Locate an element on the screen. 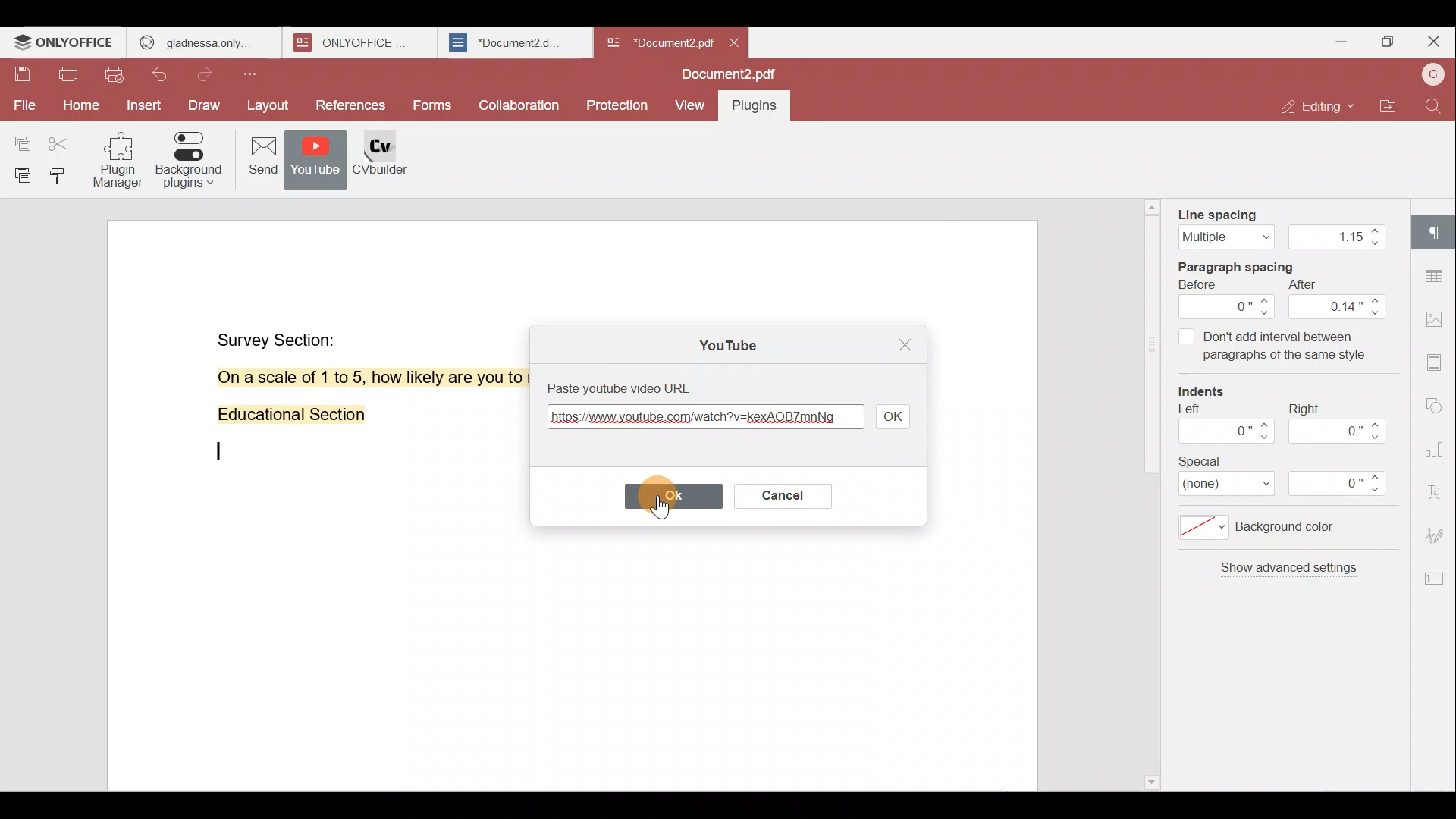 The width and height of the screenshot is (1456, 819). Text Art settings is located at coordinates (1437, 488).